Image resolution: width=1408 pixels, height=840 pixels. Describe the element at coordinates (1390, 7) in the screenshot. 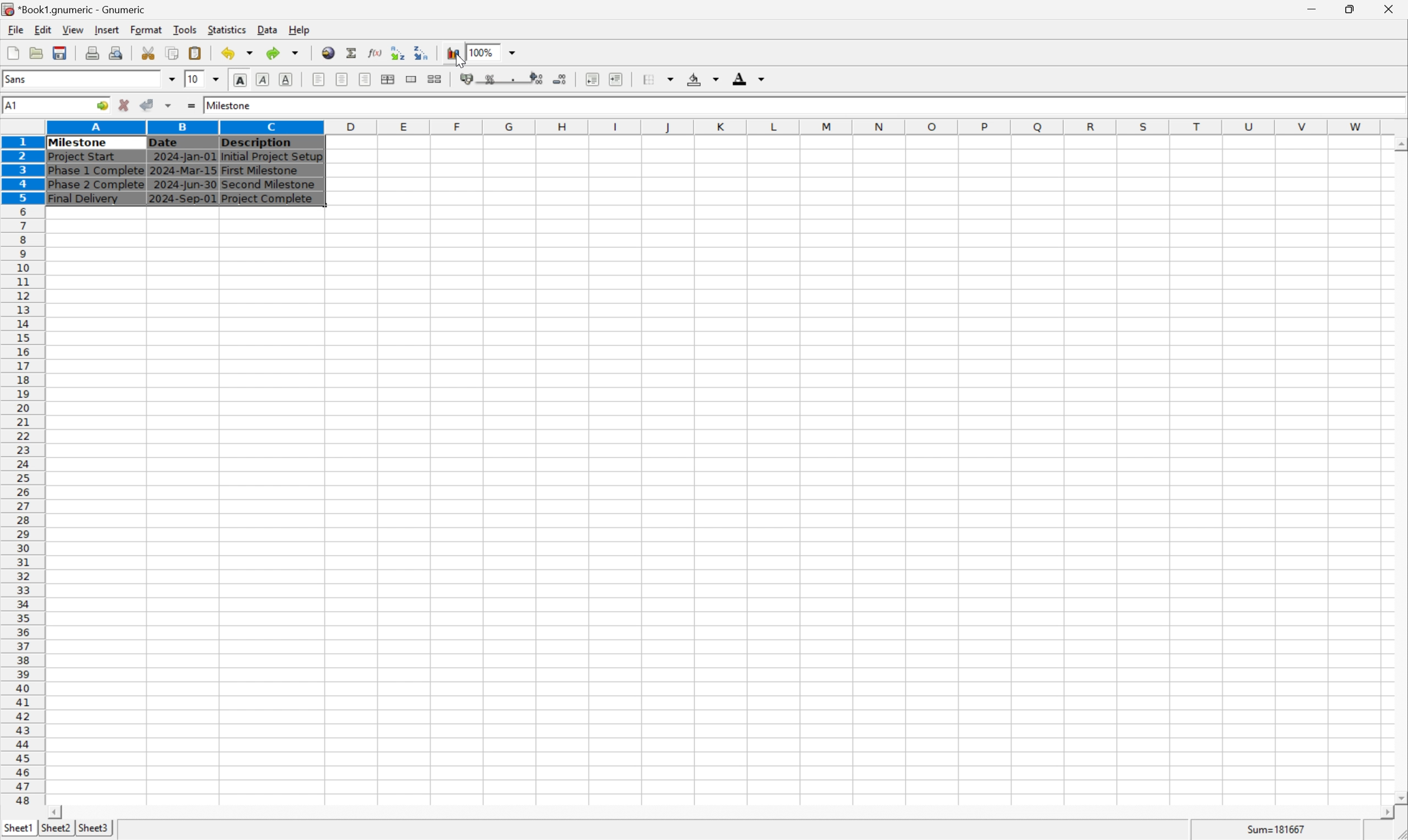

I see `close` at that location.